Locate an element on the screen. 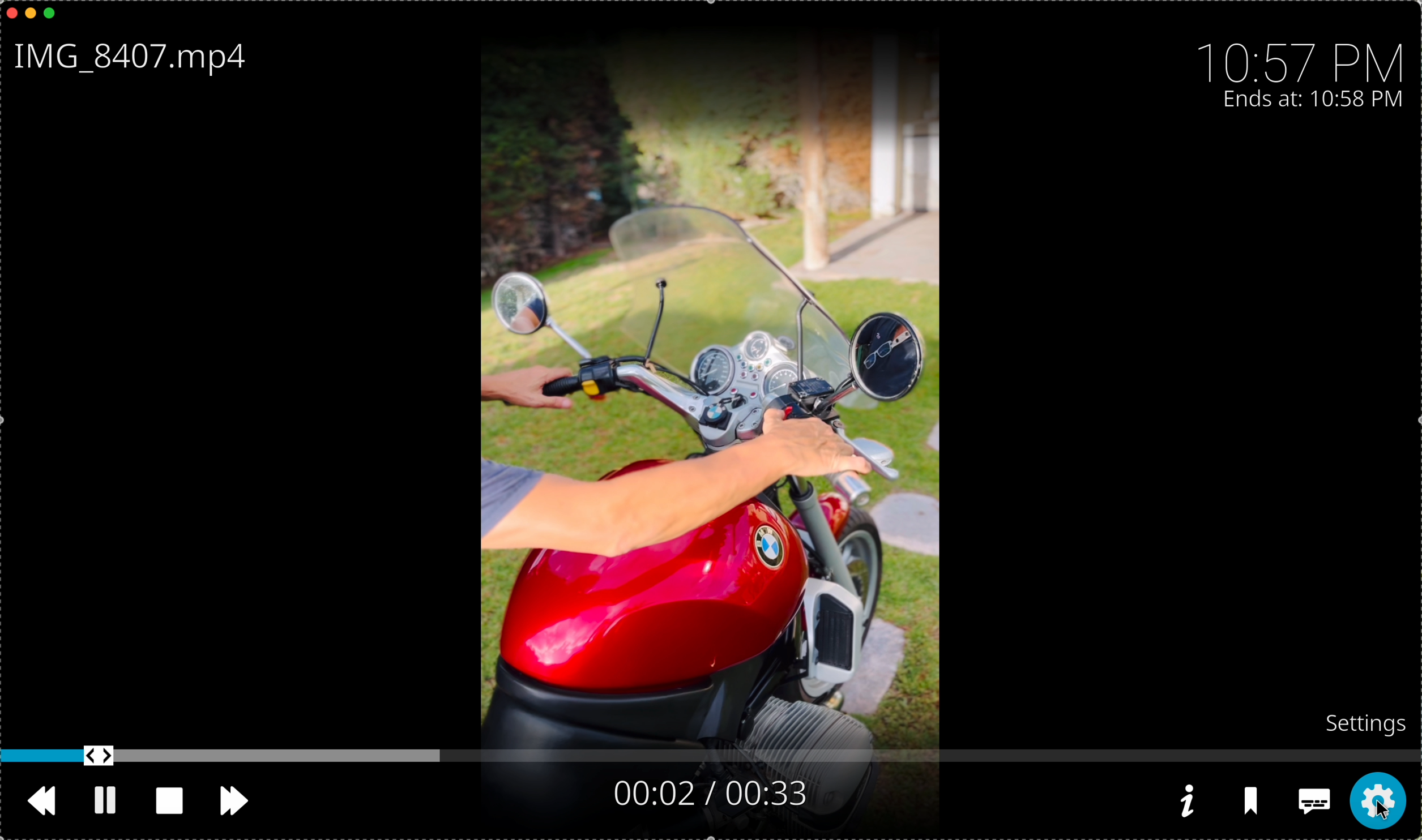 Image resolution: width=1422 pixels, height=840 pixels. minimize  is located at coordinates (31, 16).